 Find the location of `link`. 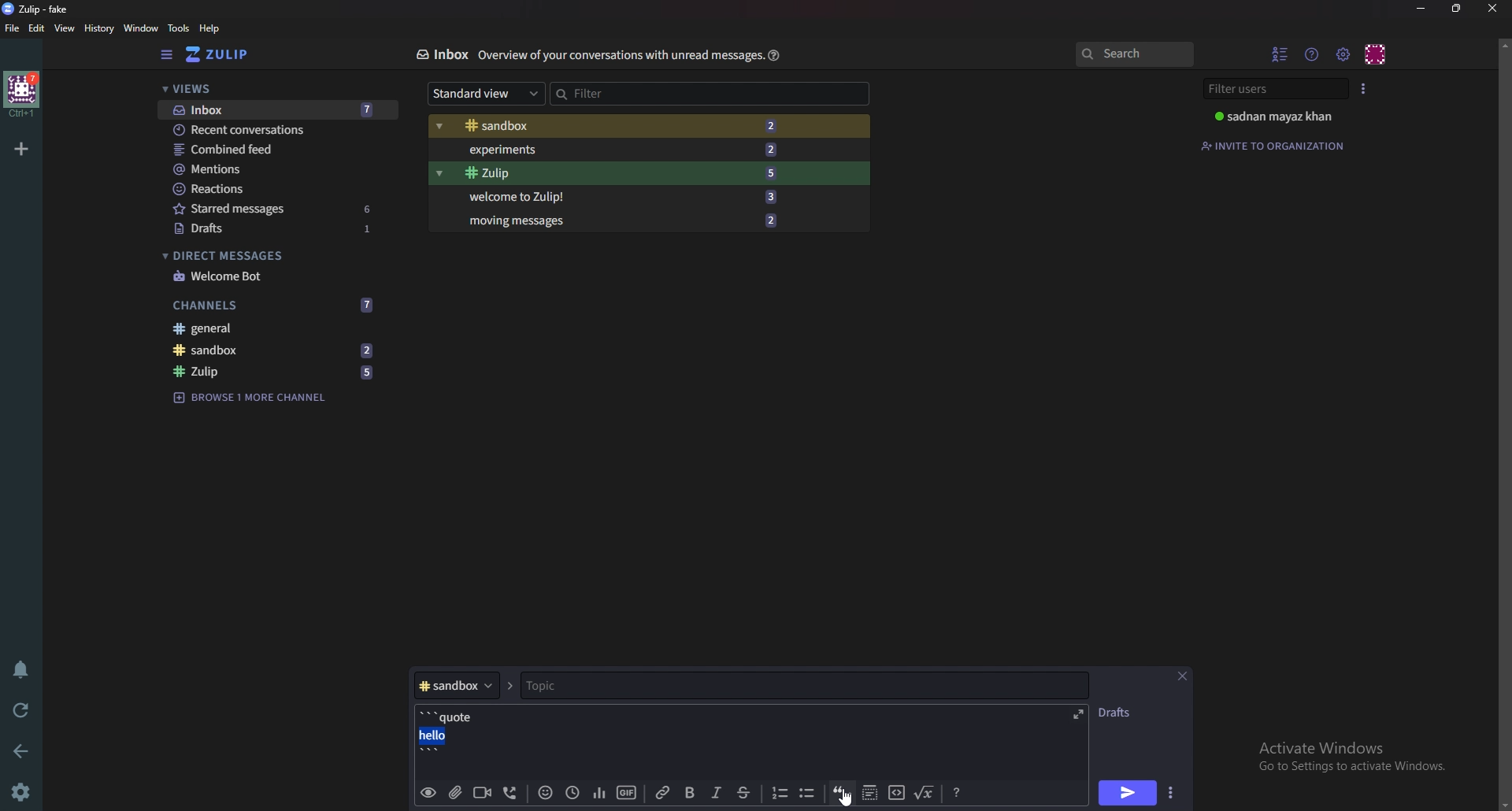

link is located at coordinates (663, 794).